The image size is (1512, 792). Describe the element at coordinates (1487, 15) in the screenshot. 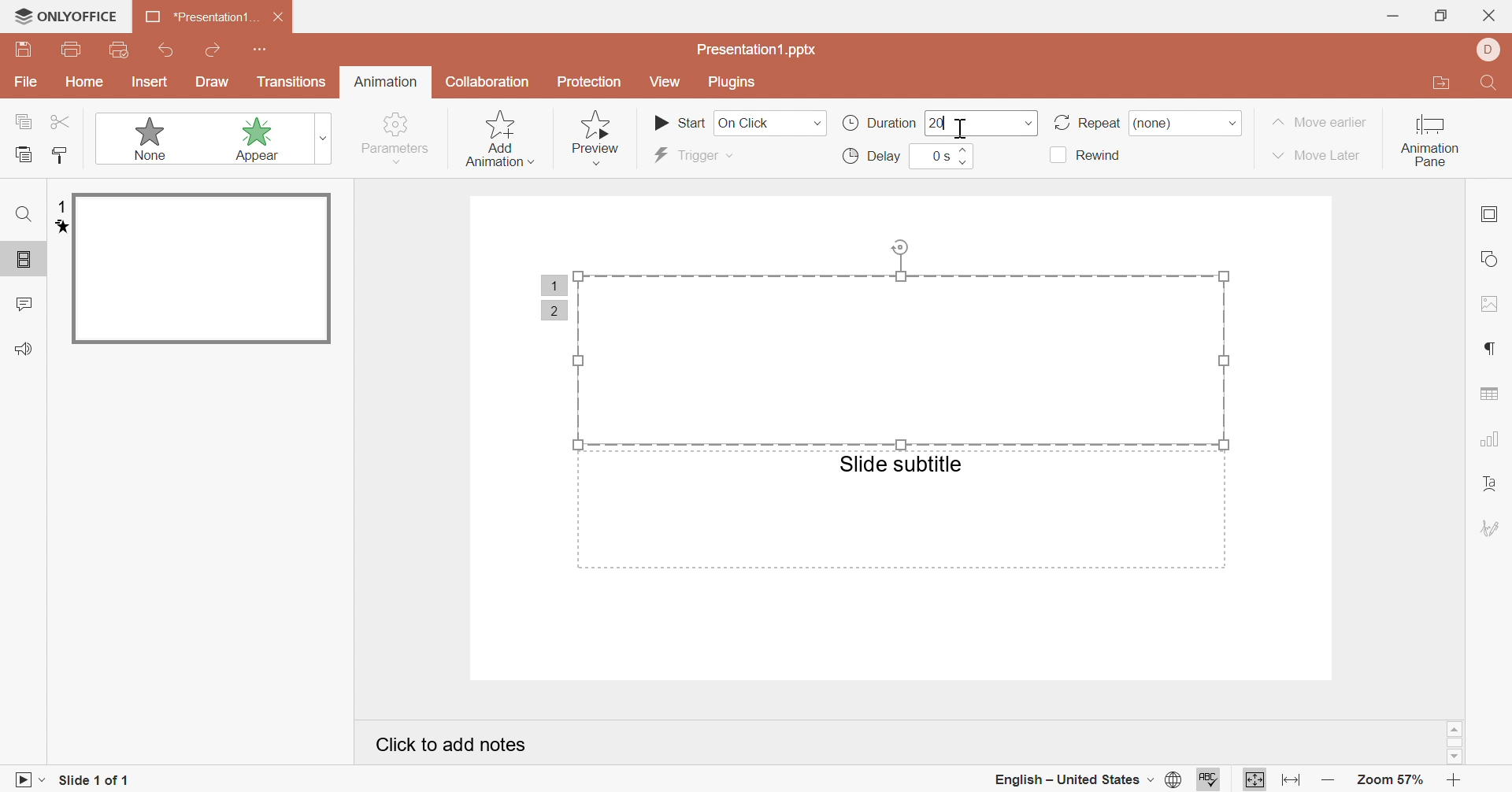

I see `close` at that location.